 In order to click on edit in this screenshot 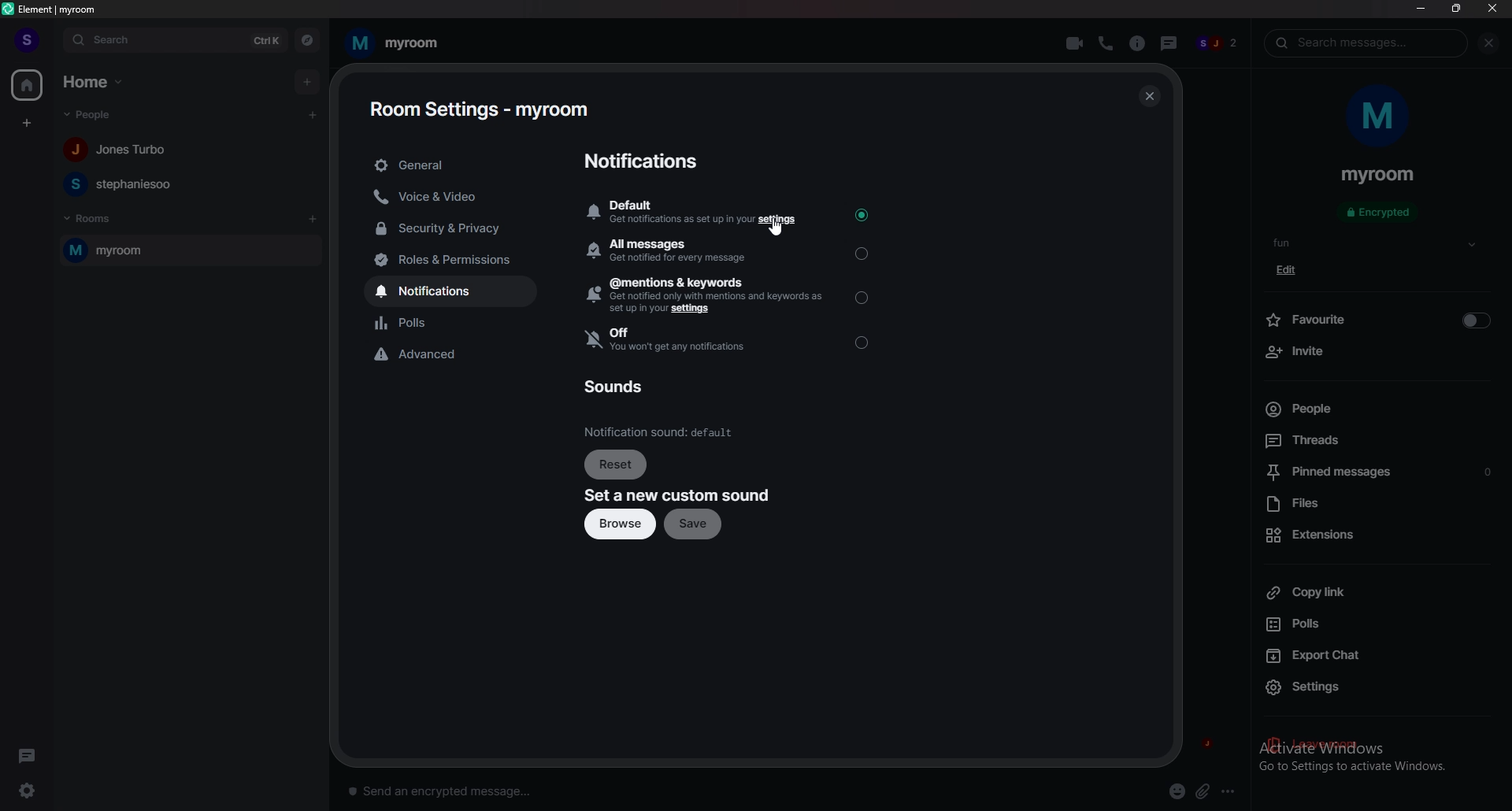, I will do `click(1291, 270)`.